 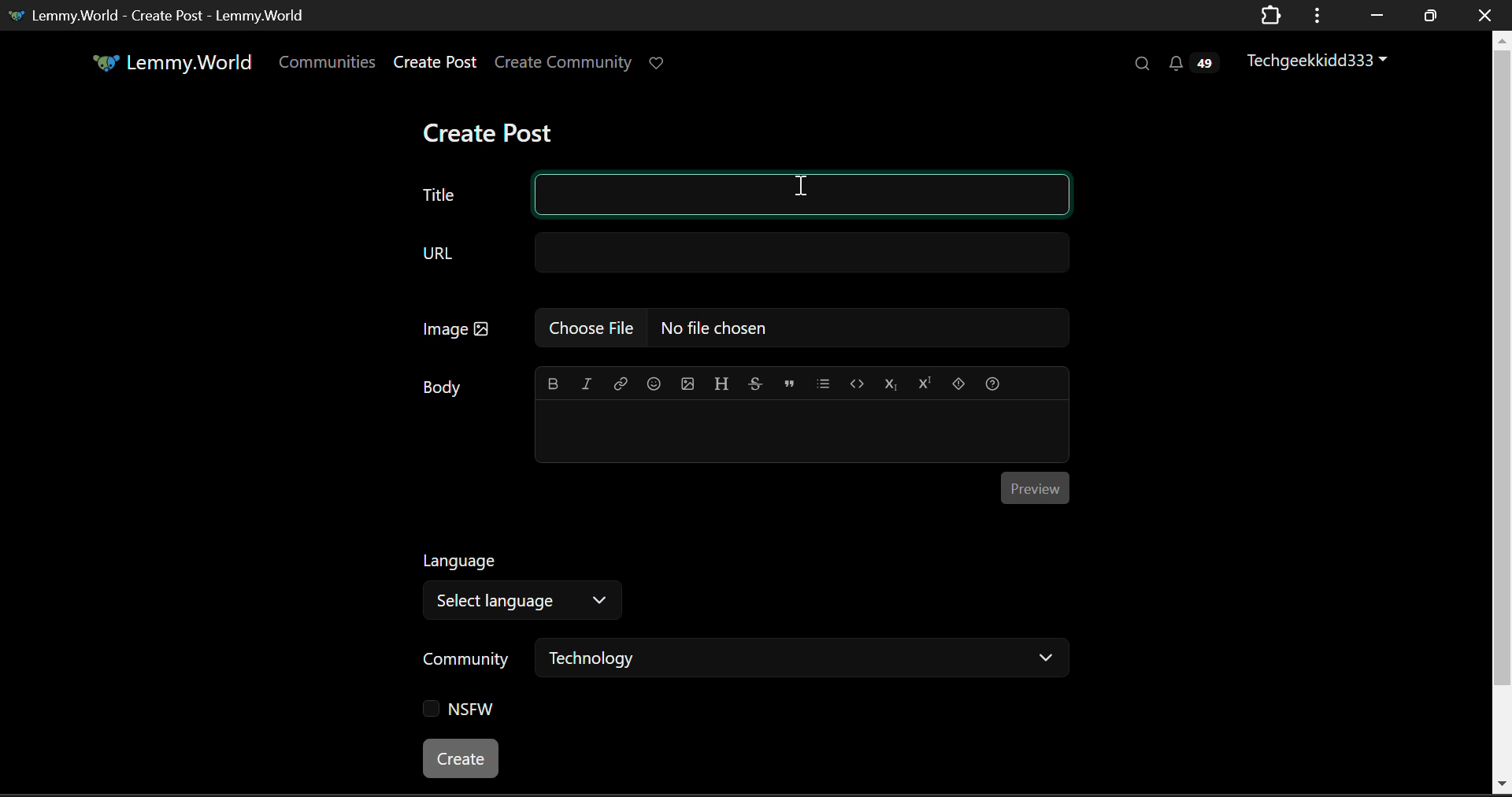 What do you see at coordinates (741, 662) in the screenshot?
I see `Community: Technology` at bounding box center [741, 662].